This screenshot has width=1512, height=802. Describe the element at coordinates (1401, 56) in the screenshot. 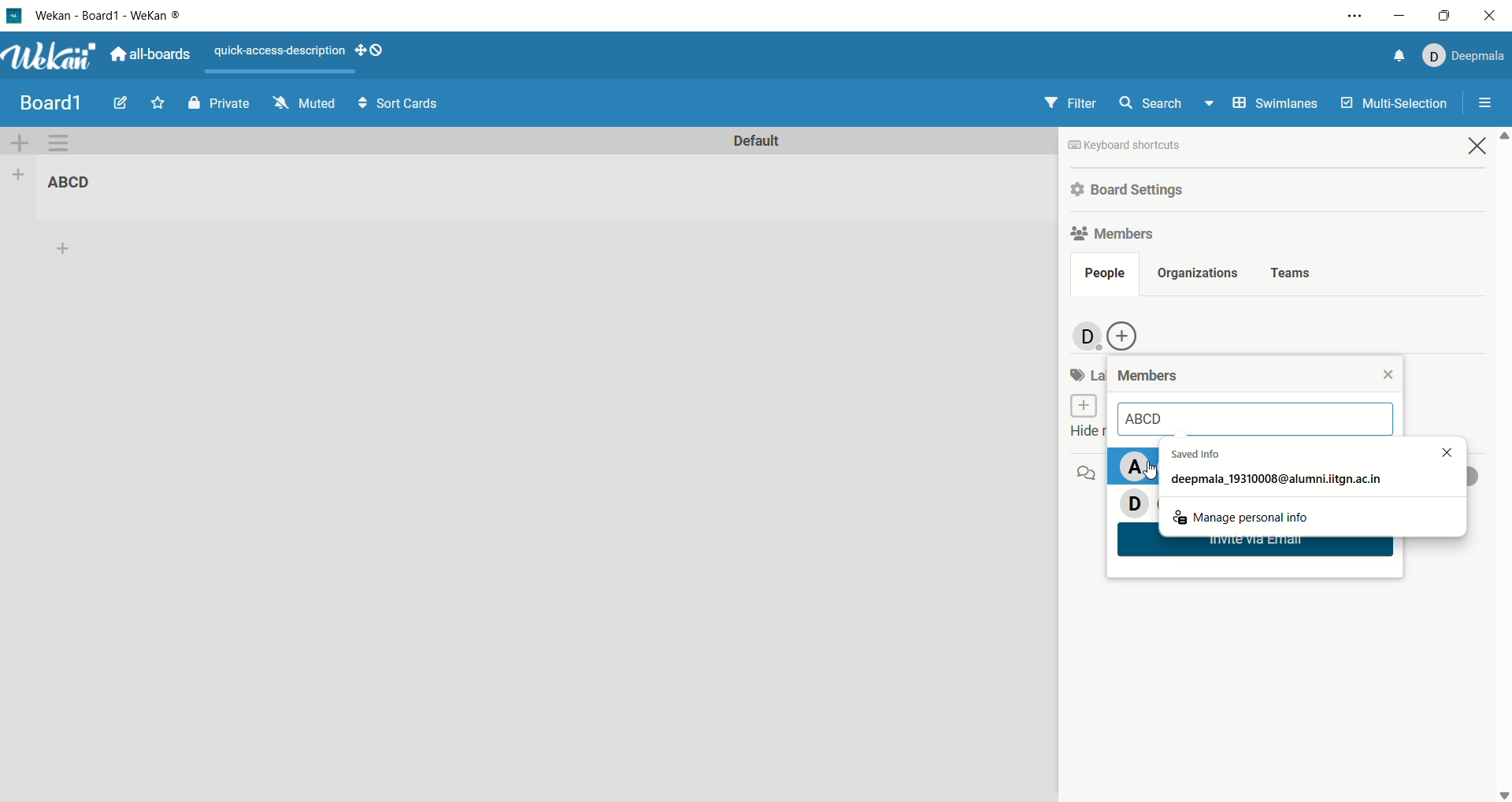

I see `notification` at that location.